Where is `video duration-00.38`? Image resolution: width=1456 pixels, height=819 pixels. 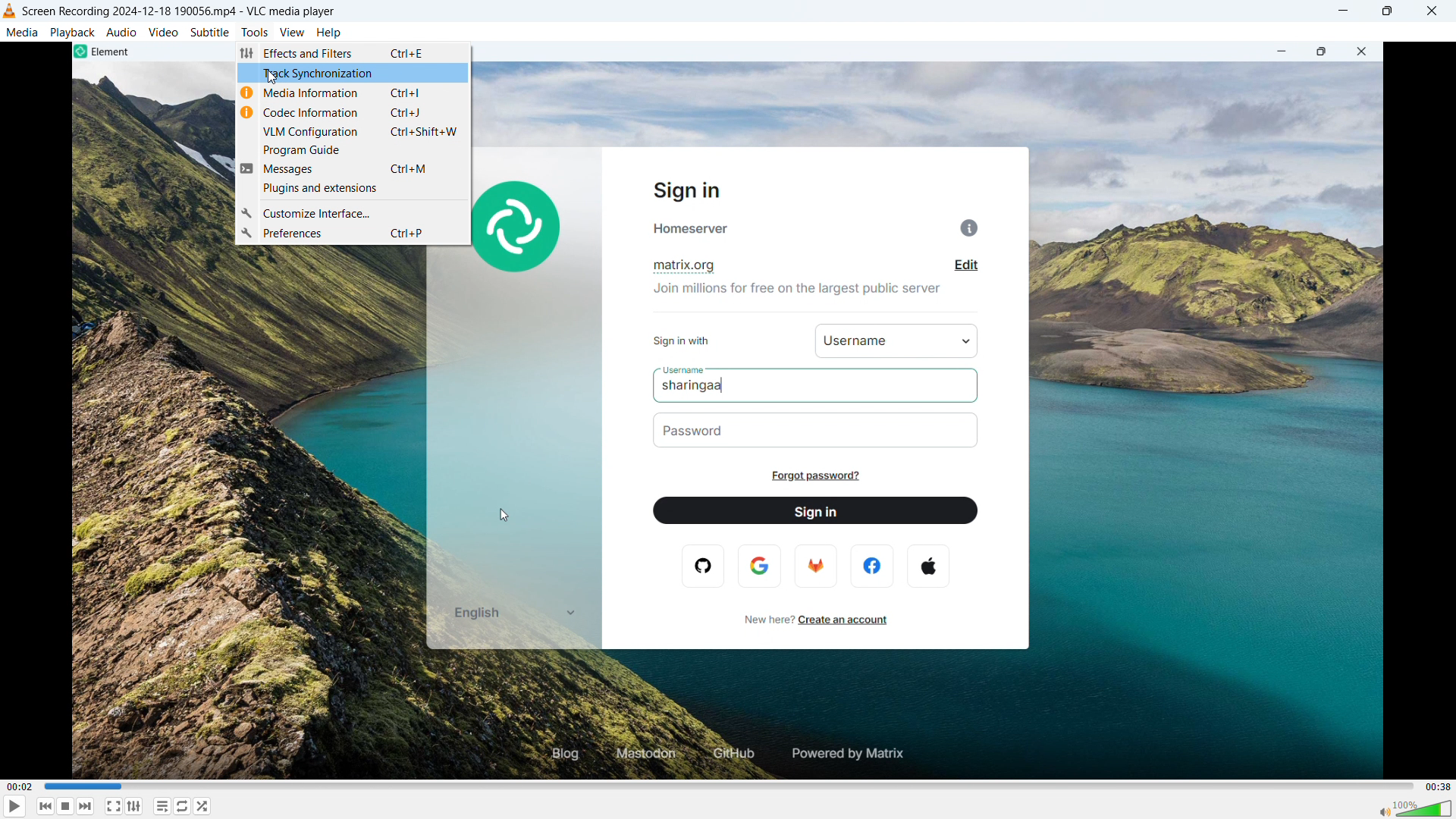 video duration-00.38 is located at coordinates (1438, 786).